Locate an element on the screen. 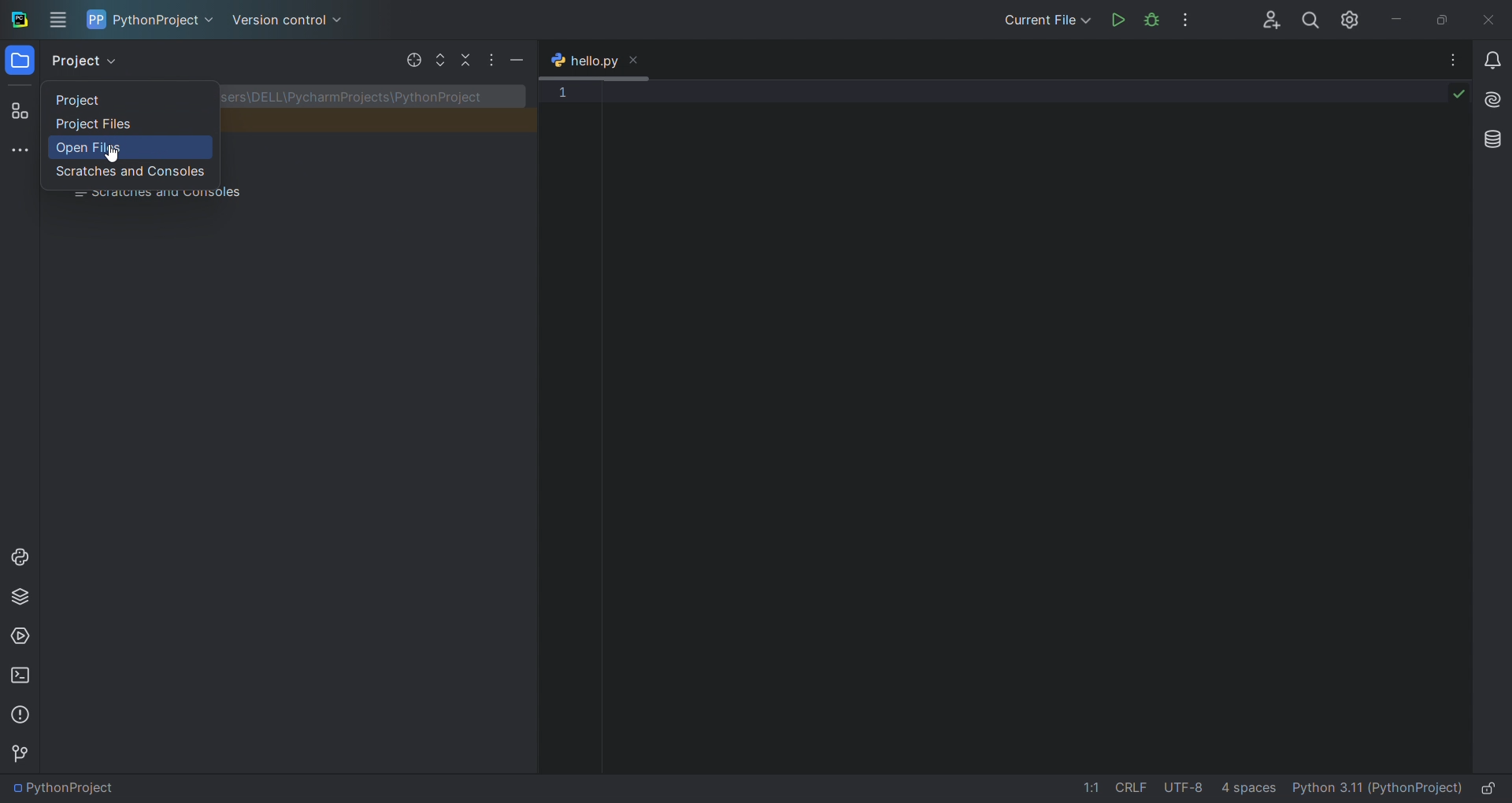  project name is located at coordinates (152, 20).